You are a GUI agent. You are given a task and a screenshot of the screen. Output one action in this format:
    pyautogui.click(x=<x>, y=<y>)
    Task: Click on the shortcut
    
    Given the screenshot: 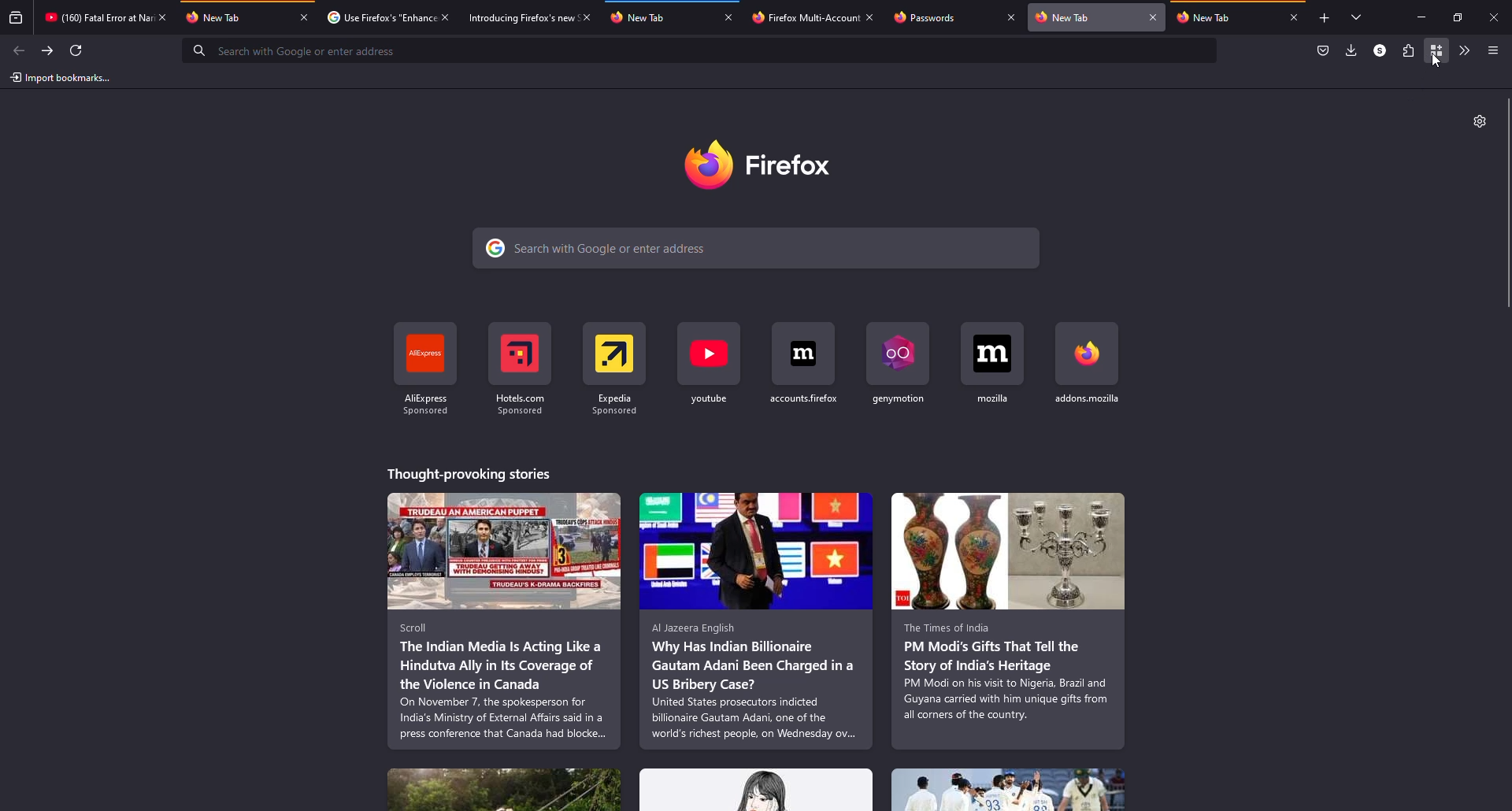 What is the action you would take?
    pyautogui.click(x=426, y=367)
    